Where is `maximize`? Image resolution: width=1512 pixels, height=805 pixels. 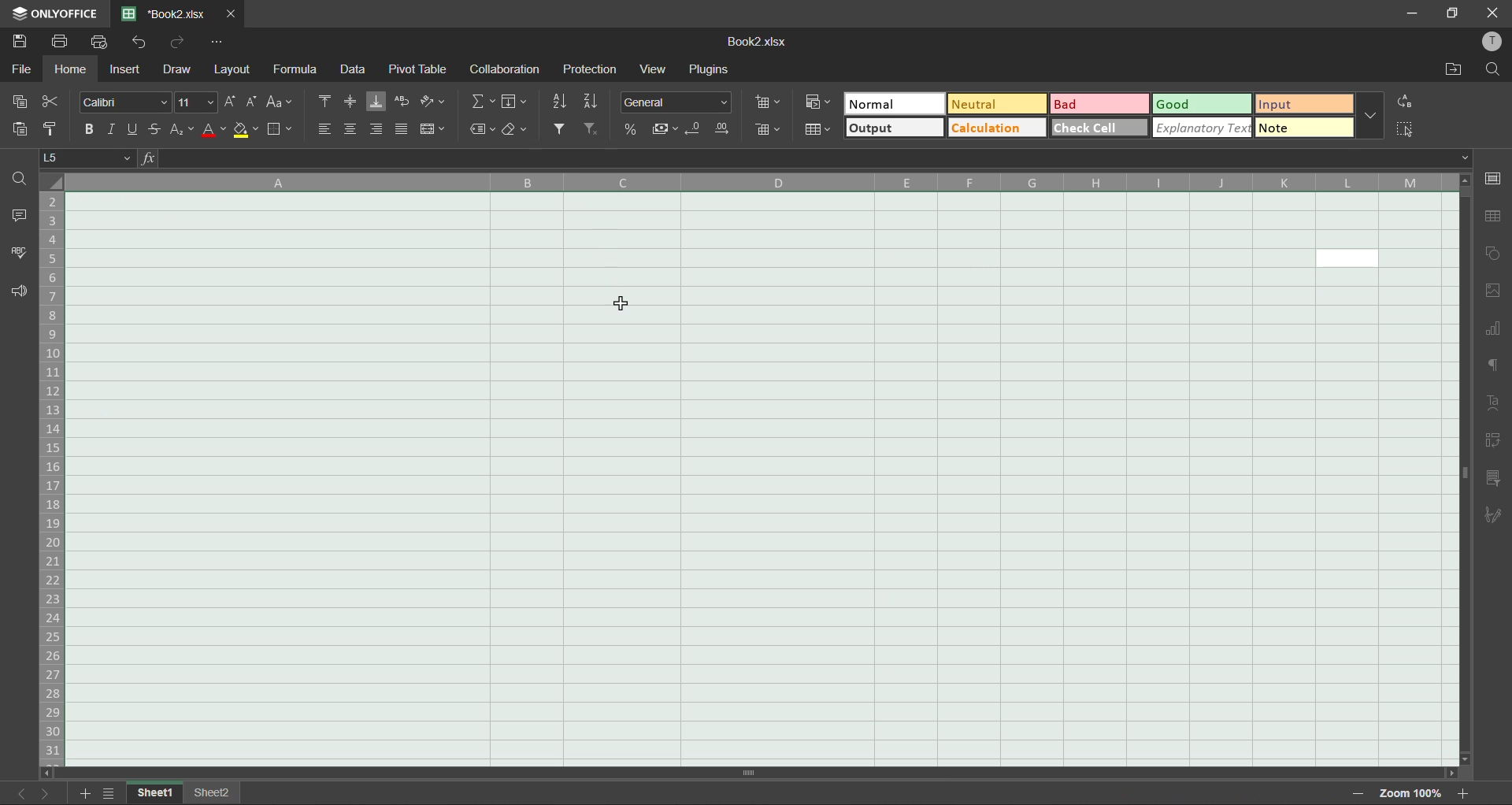 maximize is located at coordinates (1454, 13).